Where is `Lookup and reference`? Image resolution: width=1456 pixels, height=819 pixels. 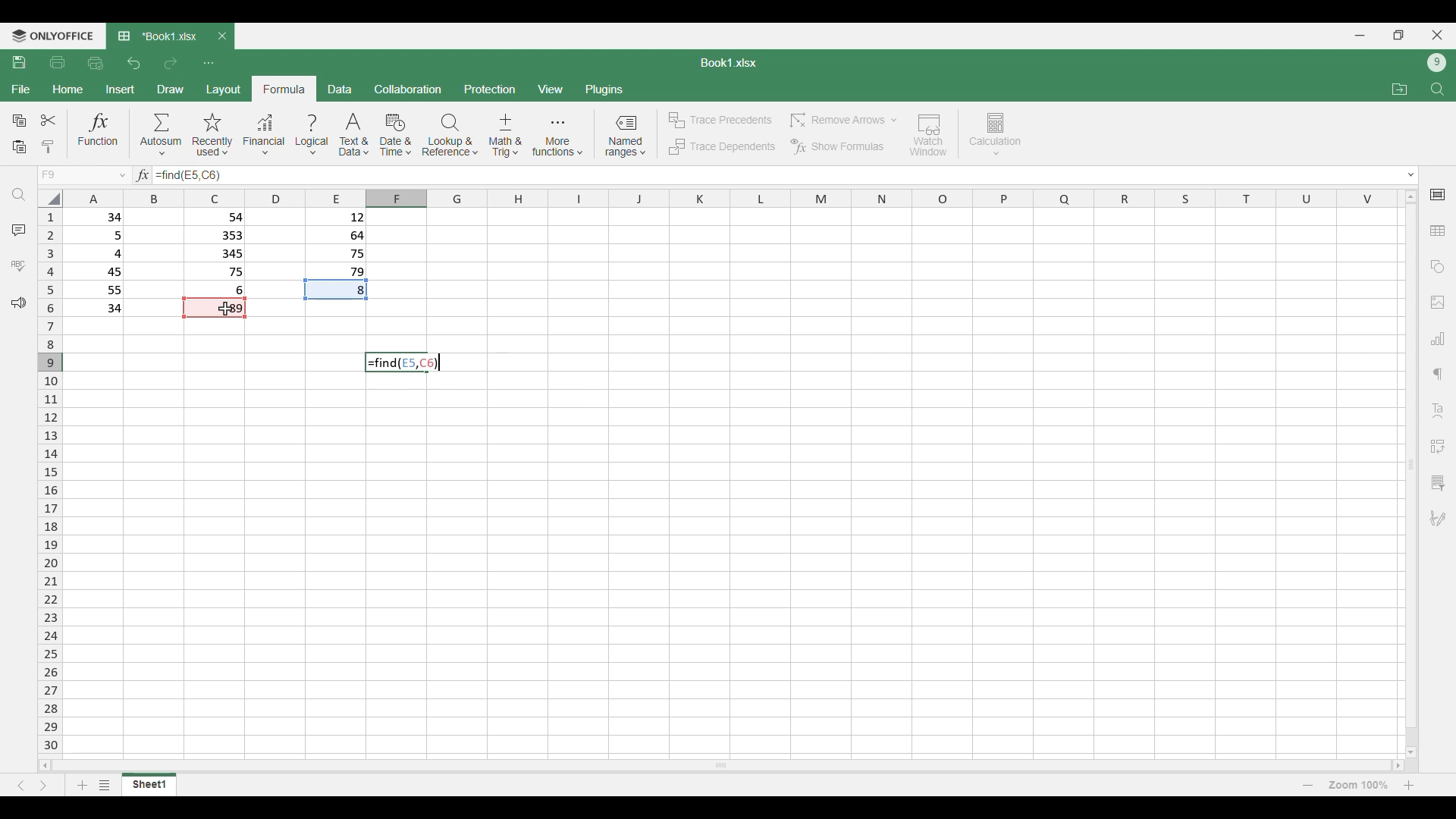 Lookup and reference is located at coordinates (450, 135).